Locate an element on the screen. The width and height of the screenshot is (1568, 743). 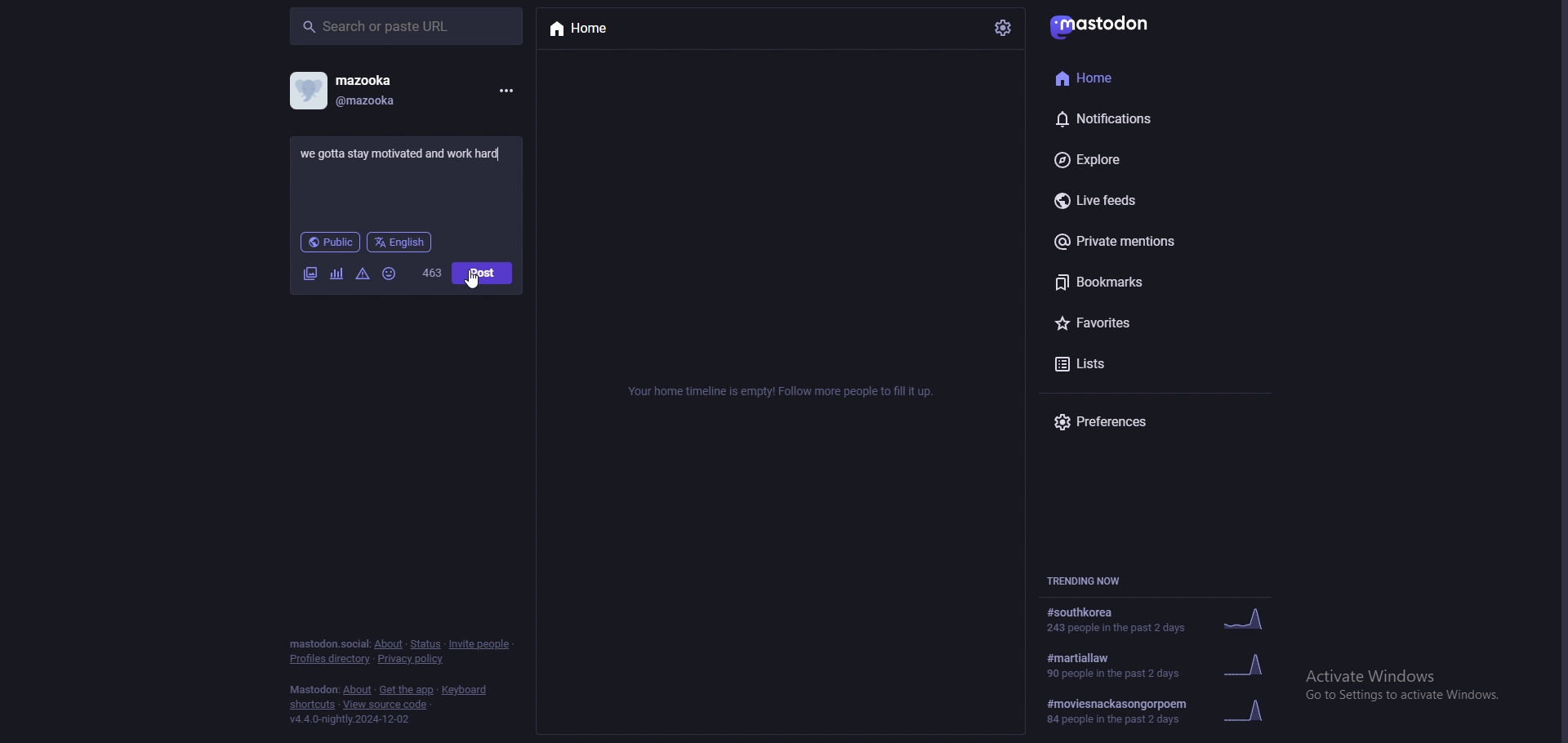
@mazooka is located at coordinates (393, 103).